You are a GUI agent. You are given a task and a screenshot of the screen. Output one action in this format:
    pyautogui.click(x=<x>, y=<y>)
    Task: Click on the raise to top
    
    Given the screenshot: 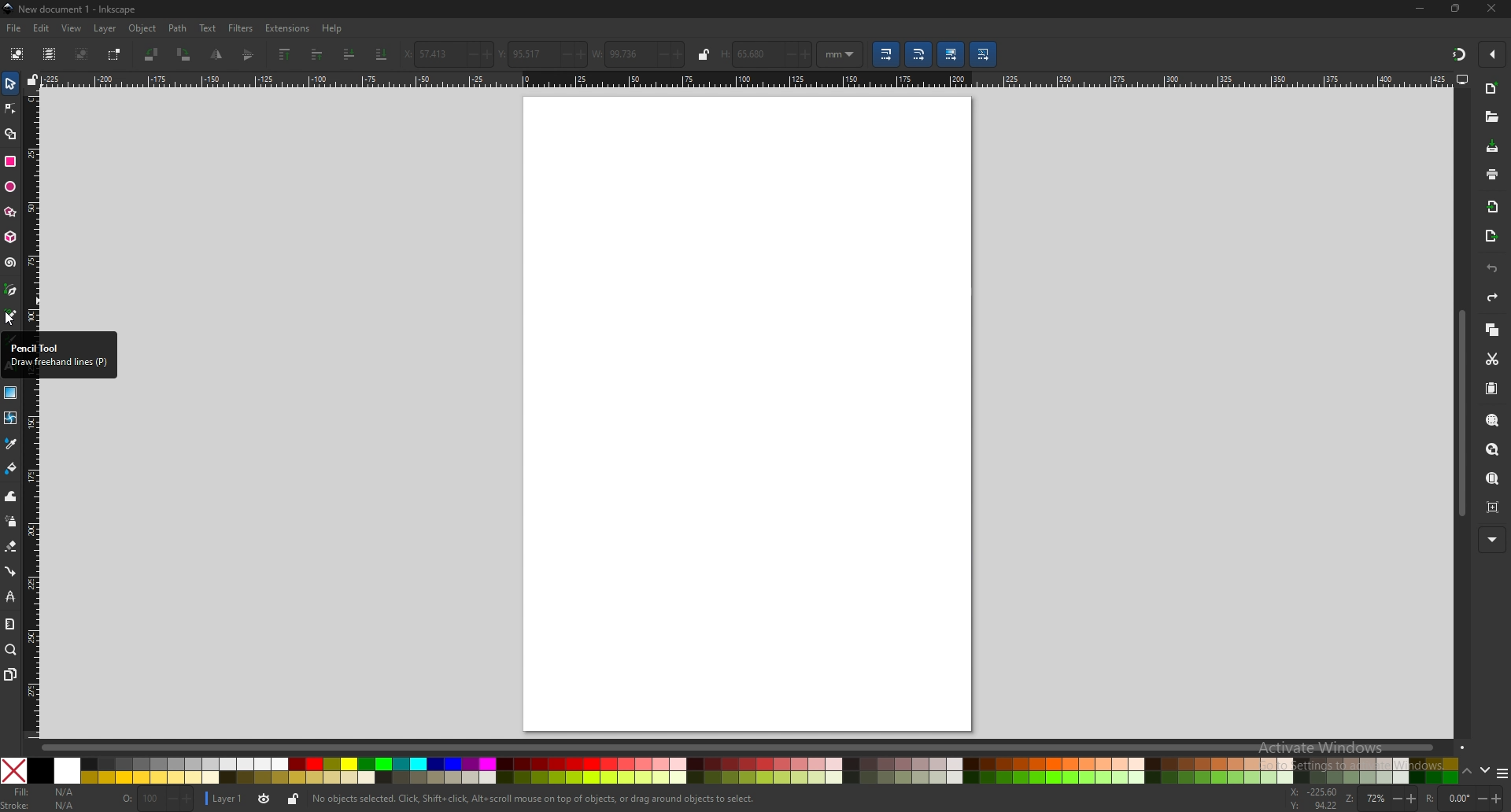 What is the action you would take?
    pyautogui.click(x=282, y=53)
    